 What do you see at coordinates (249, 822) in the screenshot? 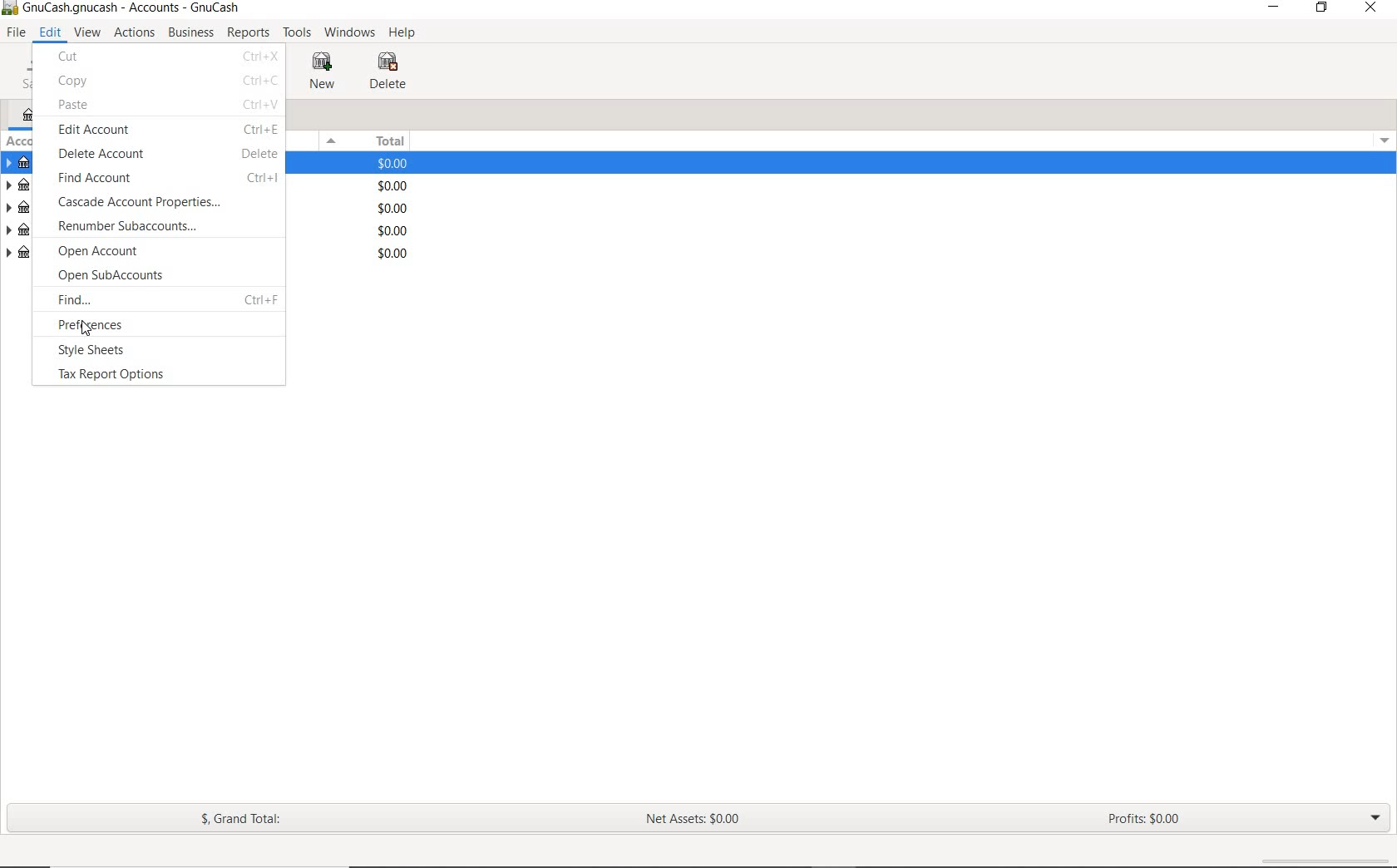
I see `GRAND TOTAL` at bounding box center [249, 822].